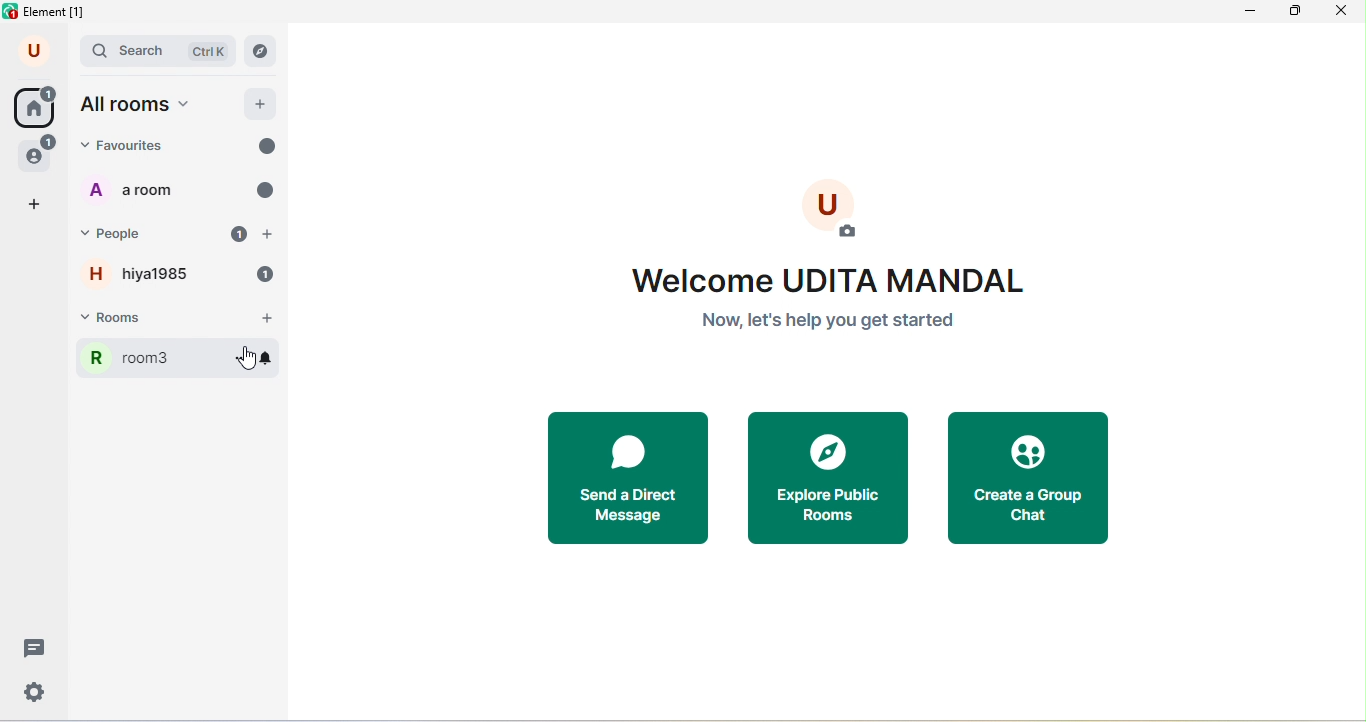 This screenshot has height=722, width=1366. I want to click on favorites, so click(150, 145).